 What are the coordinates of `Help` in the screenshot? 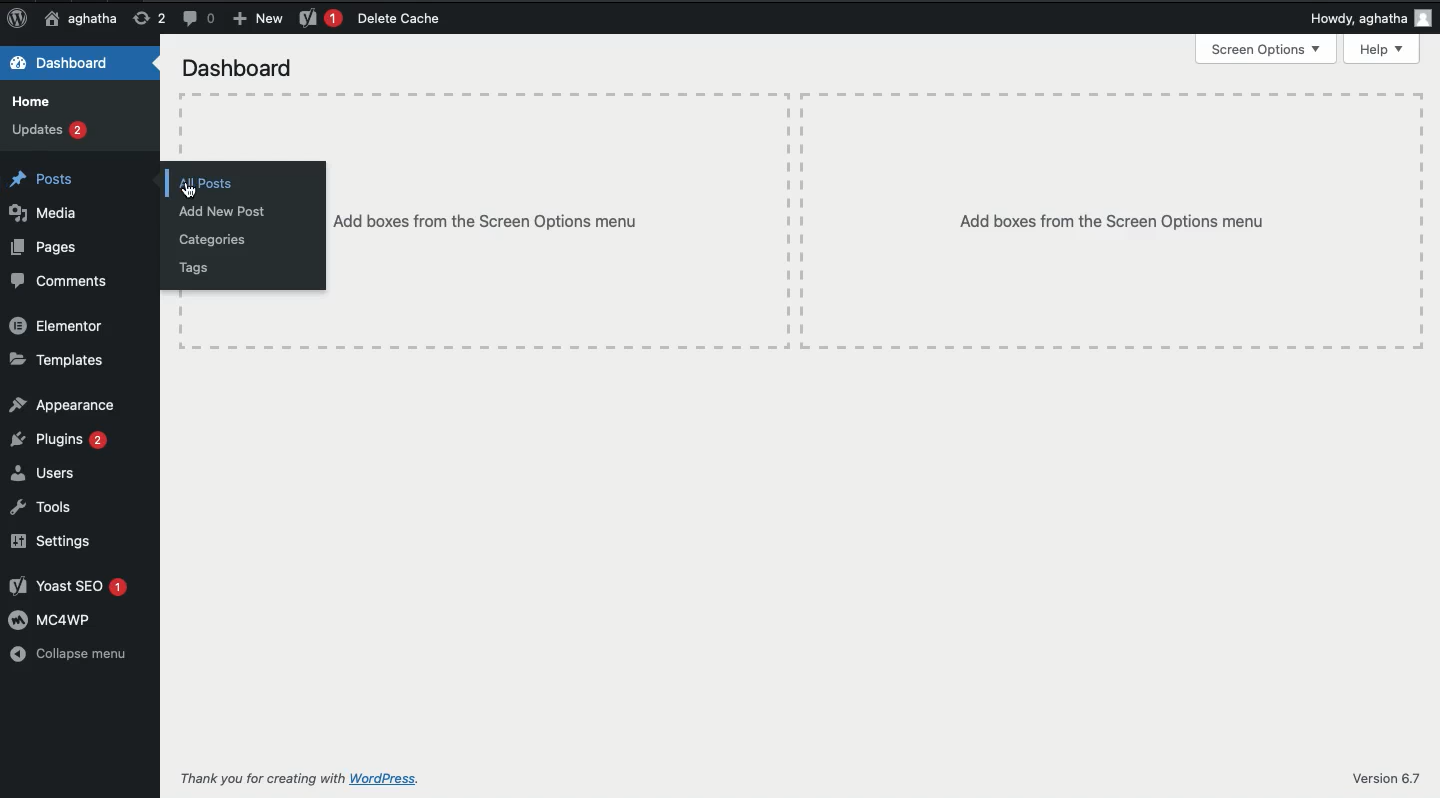 It's located at (1380, 49).